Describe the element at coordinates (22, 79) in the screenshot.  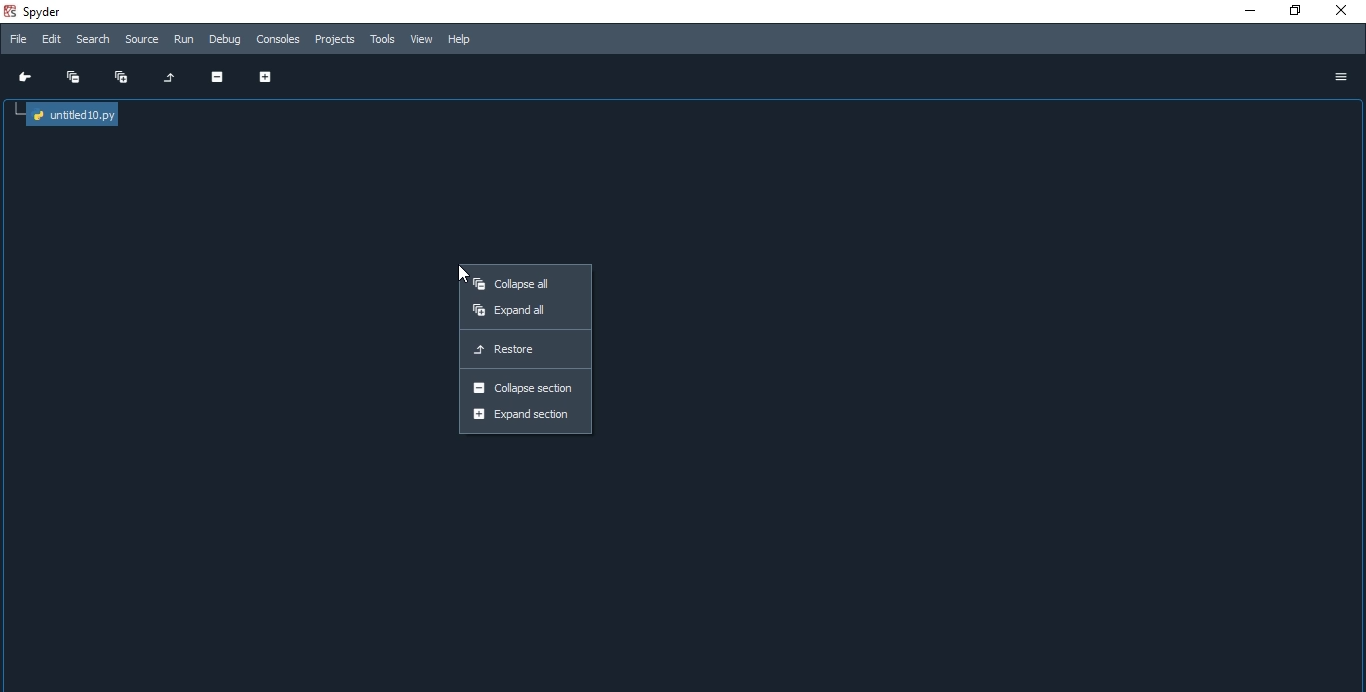
I see `Go to cursor position` at that location.